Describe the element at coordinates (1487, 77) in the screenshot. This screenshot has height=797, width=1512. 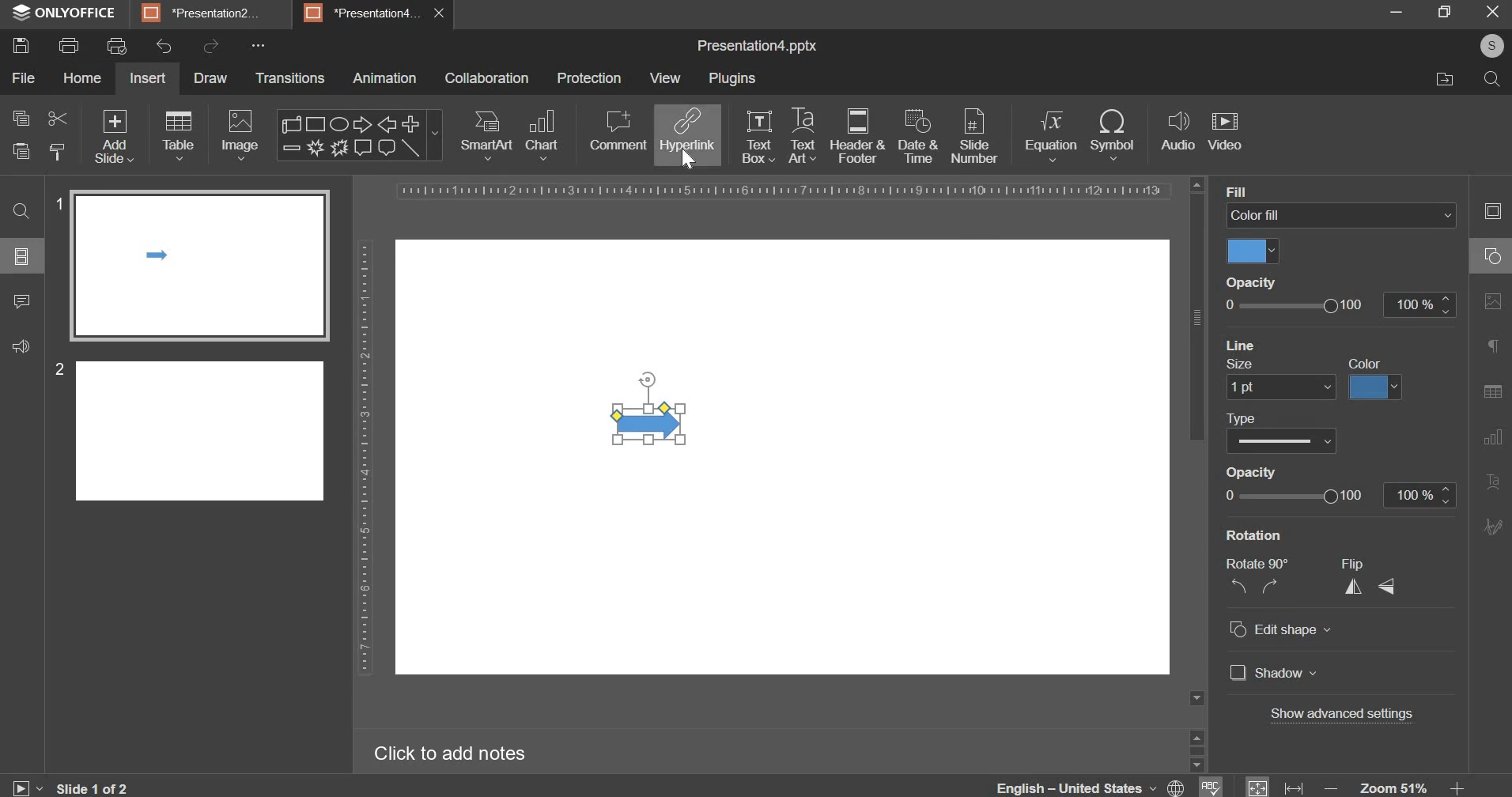
I see `search` at that location.